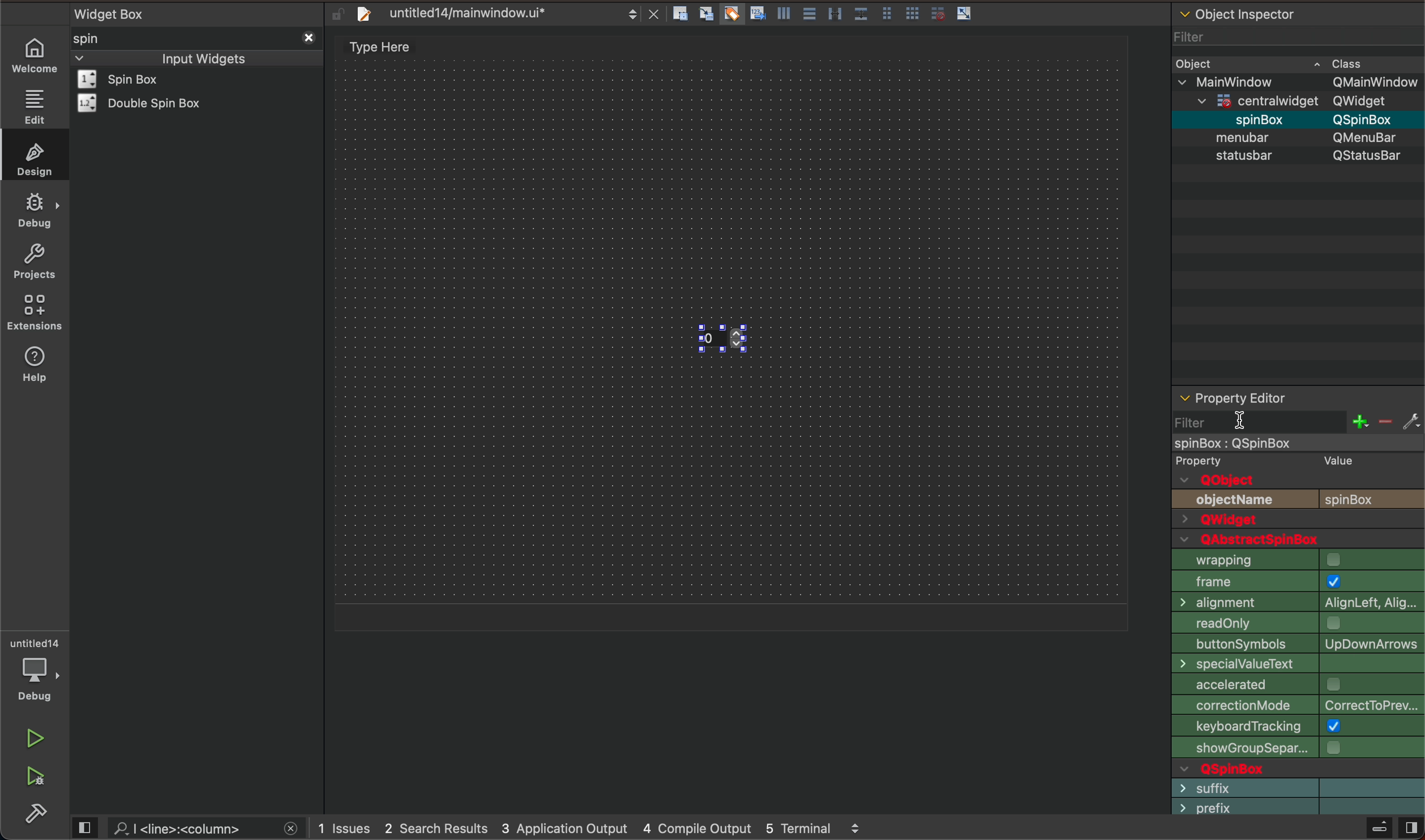  What do you see at coordinates (33, 261) in the screenshot?
I see `projects` at bounding box center [33, 261].